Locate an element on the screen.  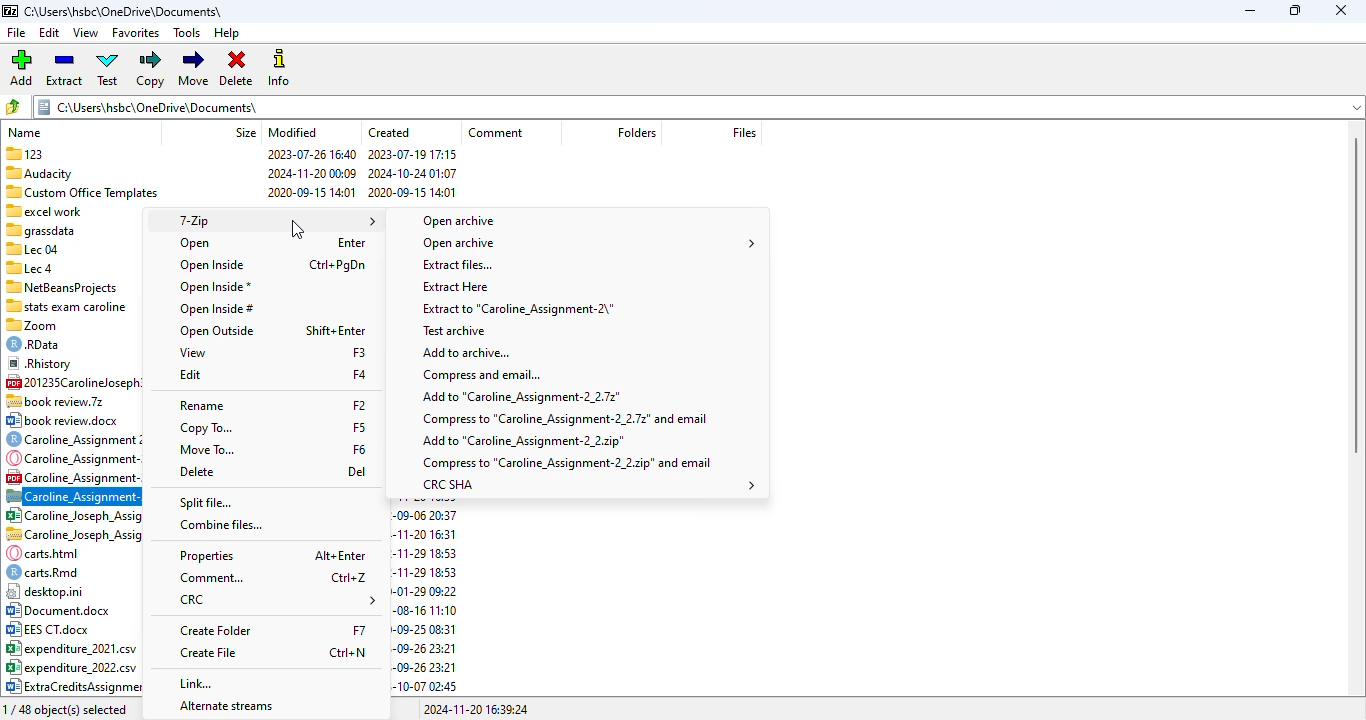
rename is located at coordinates (201, 406).